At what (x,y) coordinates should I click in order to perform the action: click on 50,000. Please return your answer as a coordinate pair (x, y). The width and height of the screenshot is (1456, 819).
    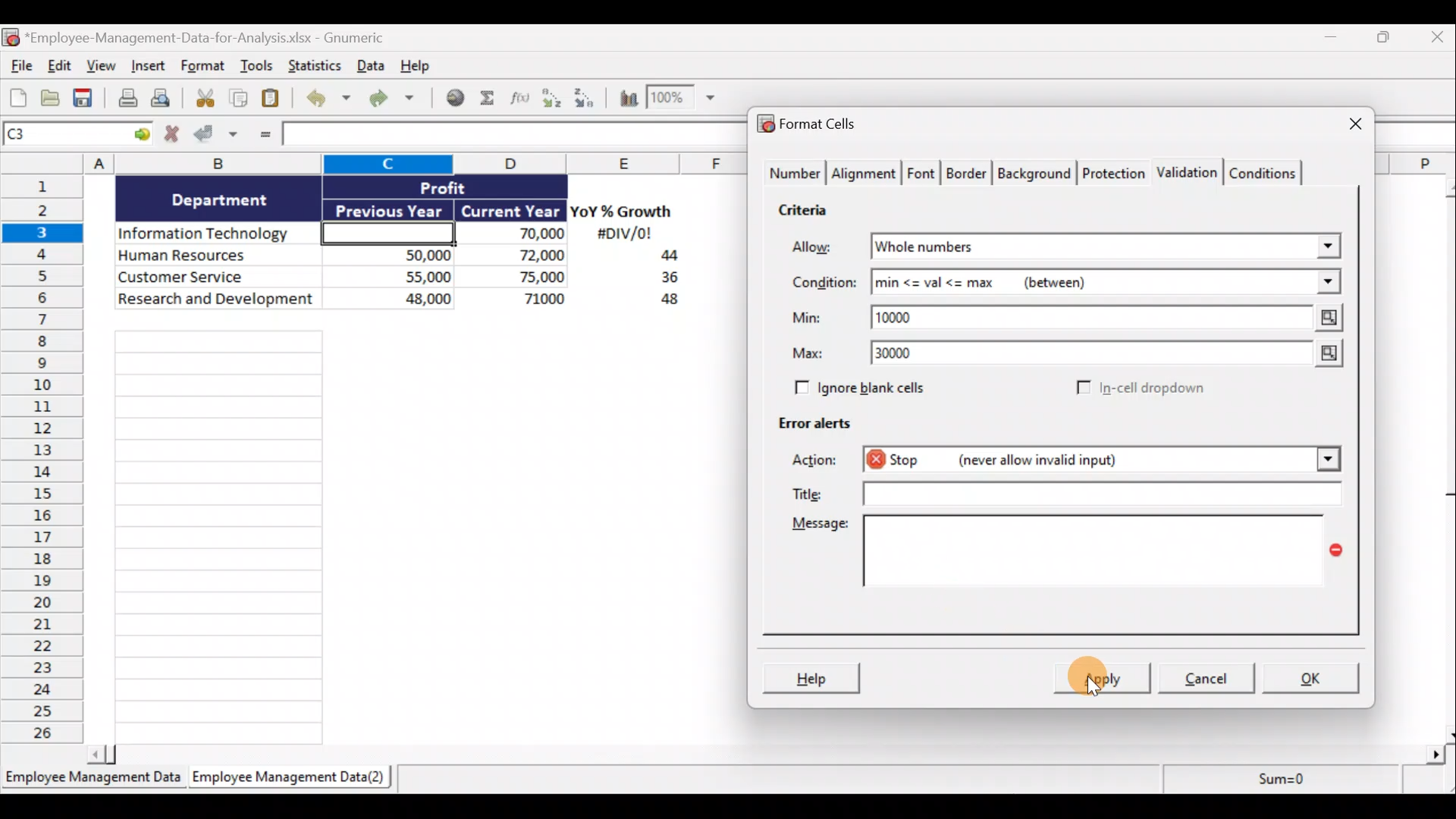
    Looking at the image, I should click on (397, 254).